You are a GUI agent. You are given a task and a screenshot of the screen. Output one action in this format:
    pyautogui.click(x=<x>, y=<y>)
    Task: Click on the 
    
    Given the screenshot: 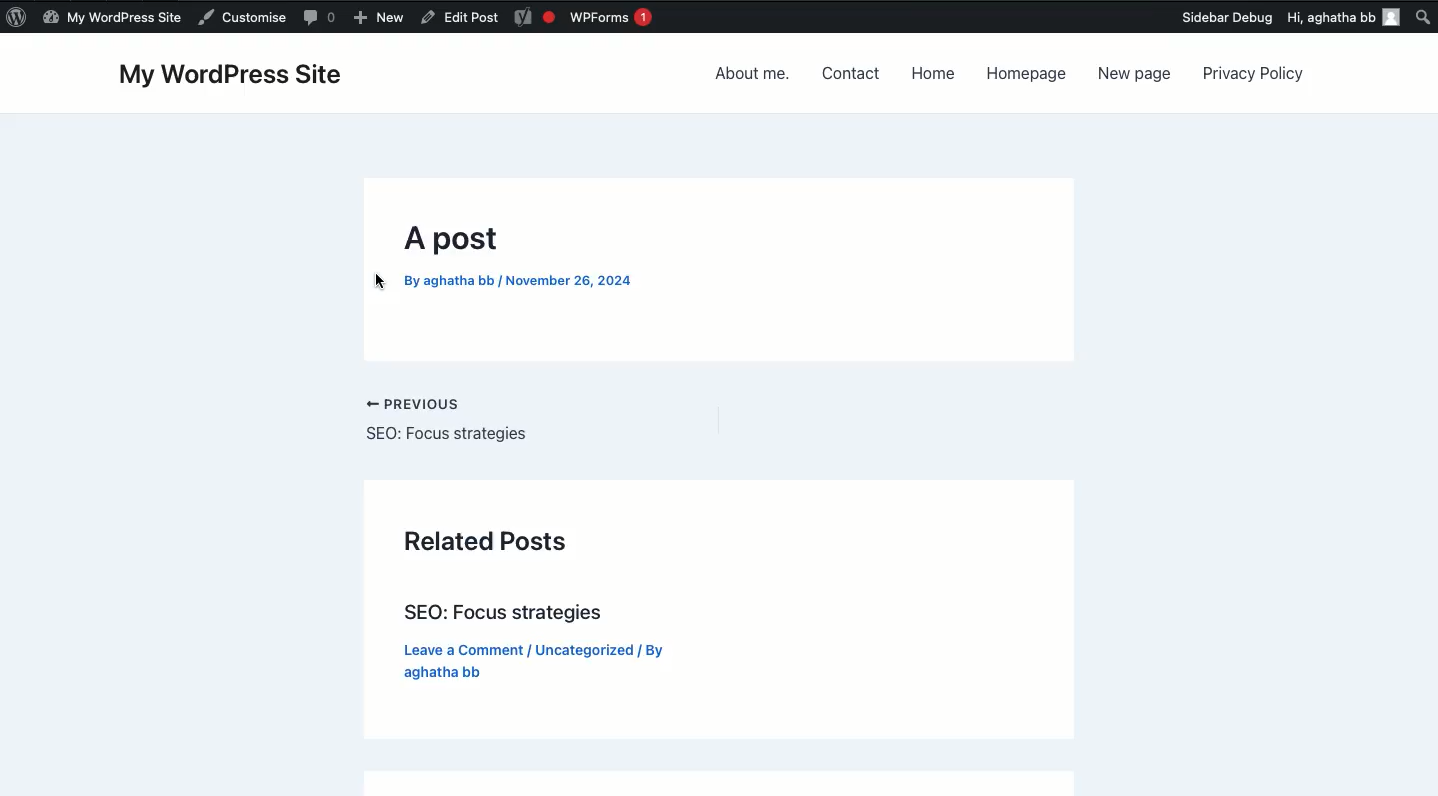 What is the action you would take?
    pyautogui.click(x=1227, y=19)
    